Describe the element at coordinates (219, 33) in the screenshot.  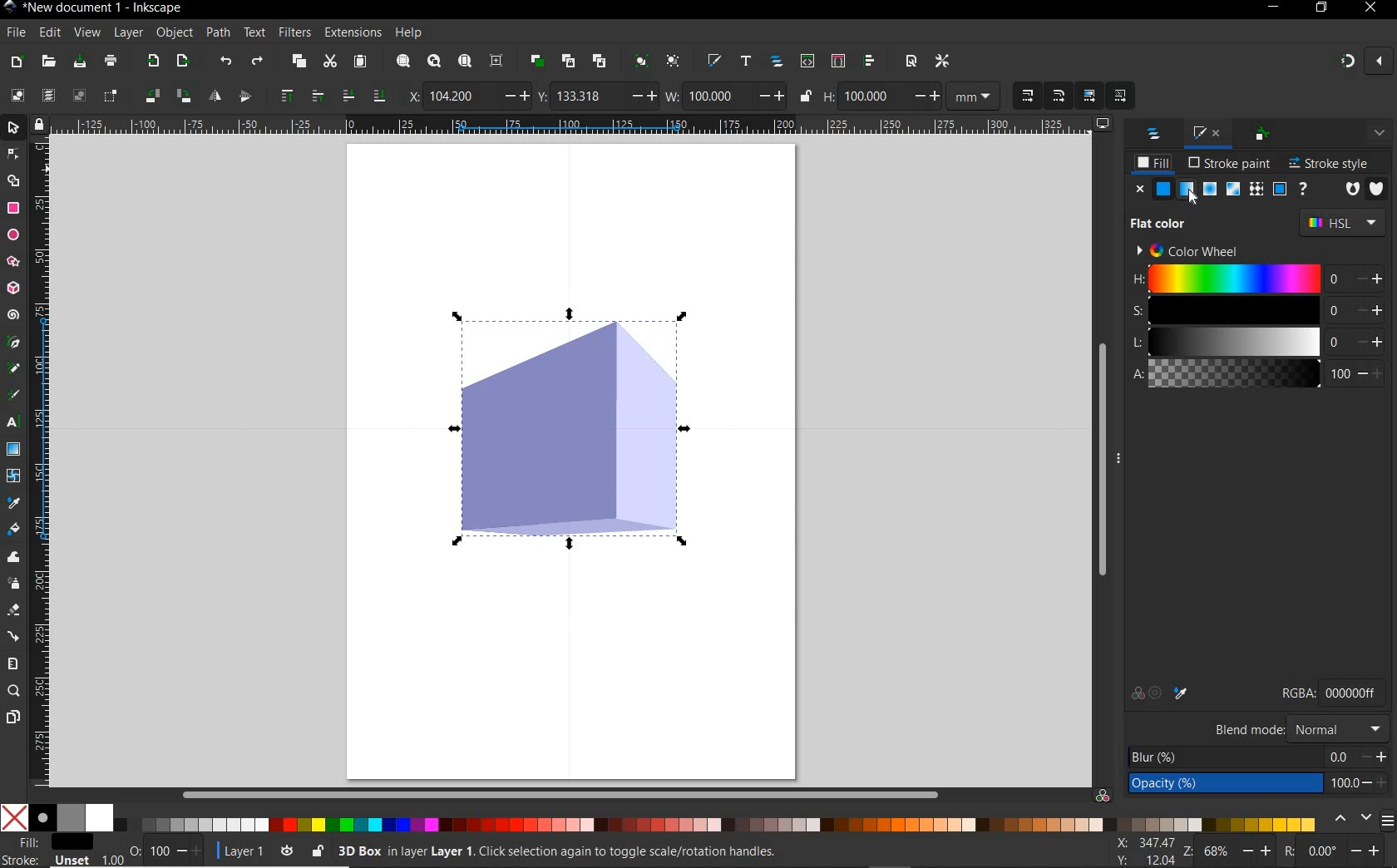
I see `PATH` at that location.